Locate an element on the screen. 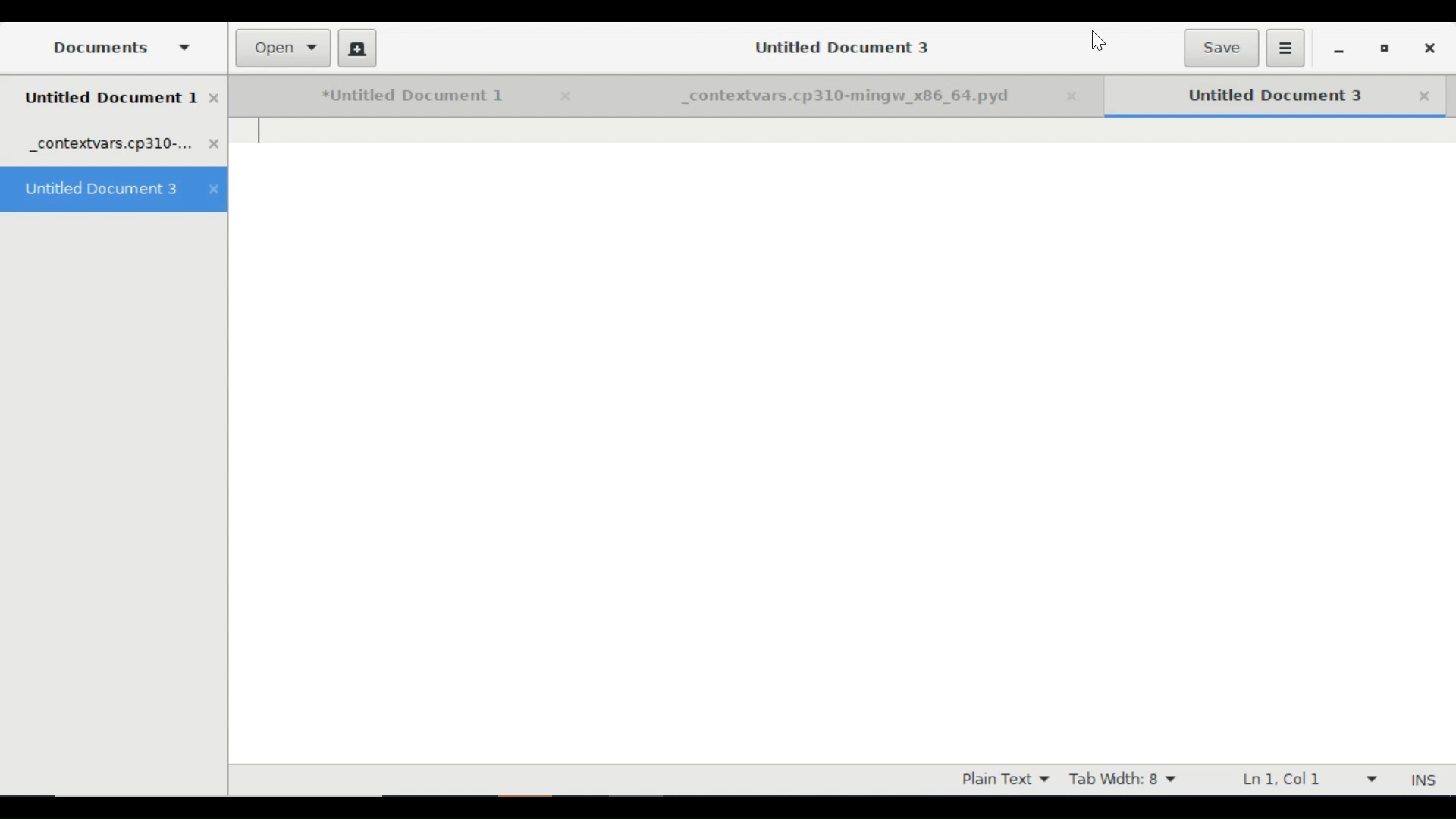 This screenshot has width=1456, height=819. Close is located at coordinates (1428, 49).